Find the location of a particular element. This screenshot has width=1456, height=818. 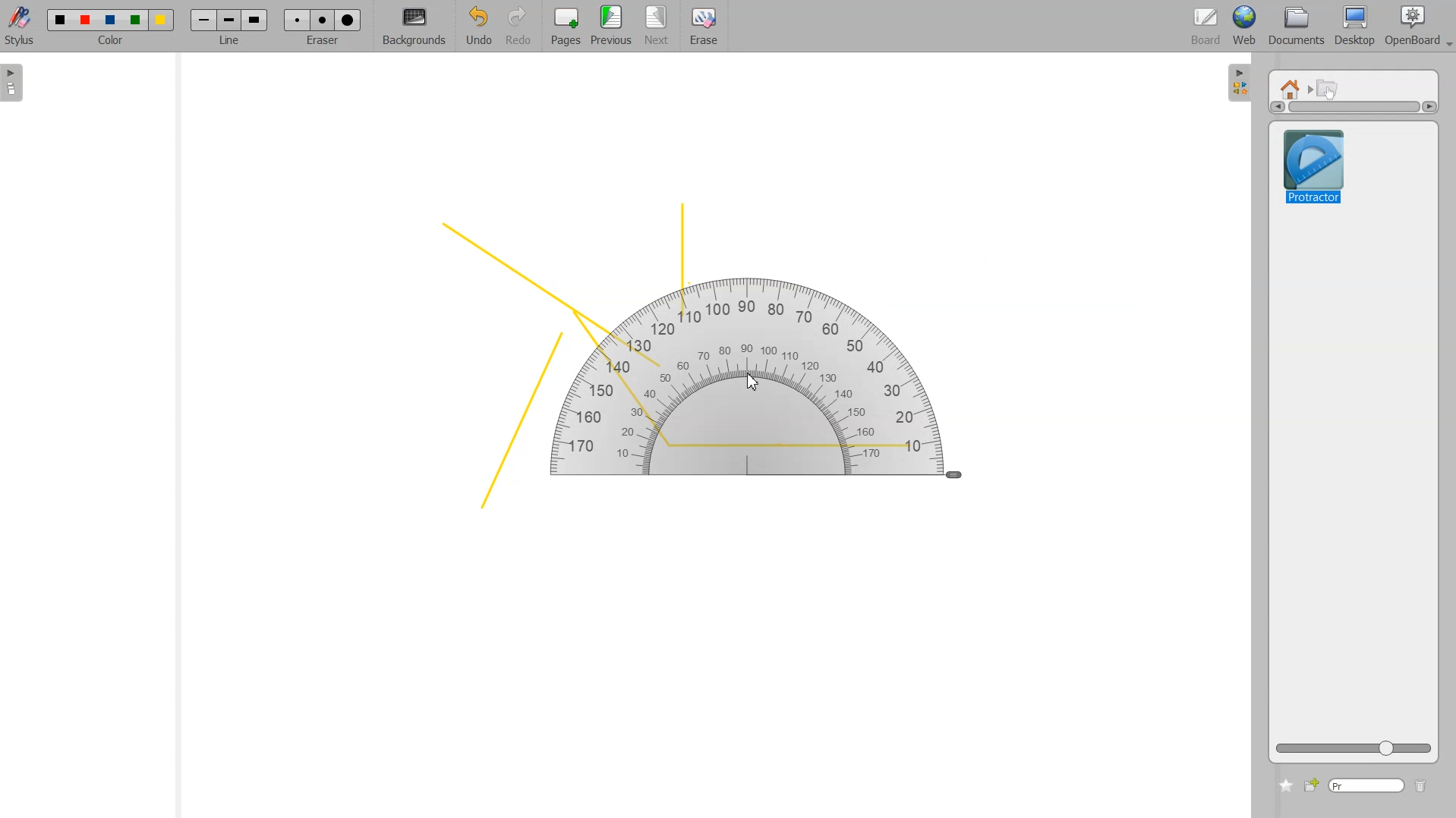

Home is located at coordinates (1293, 88).